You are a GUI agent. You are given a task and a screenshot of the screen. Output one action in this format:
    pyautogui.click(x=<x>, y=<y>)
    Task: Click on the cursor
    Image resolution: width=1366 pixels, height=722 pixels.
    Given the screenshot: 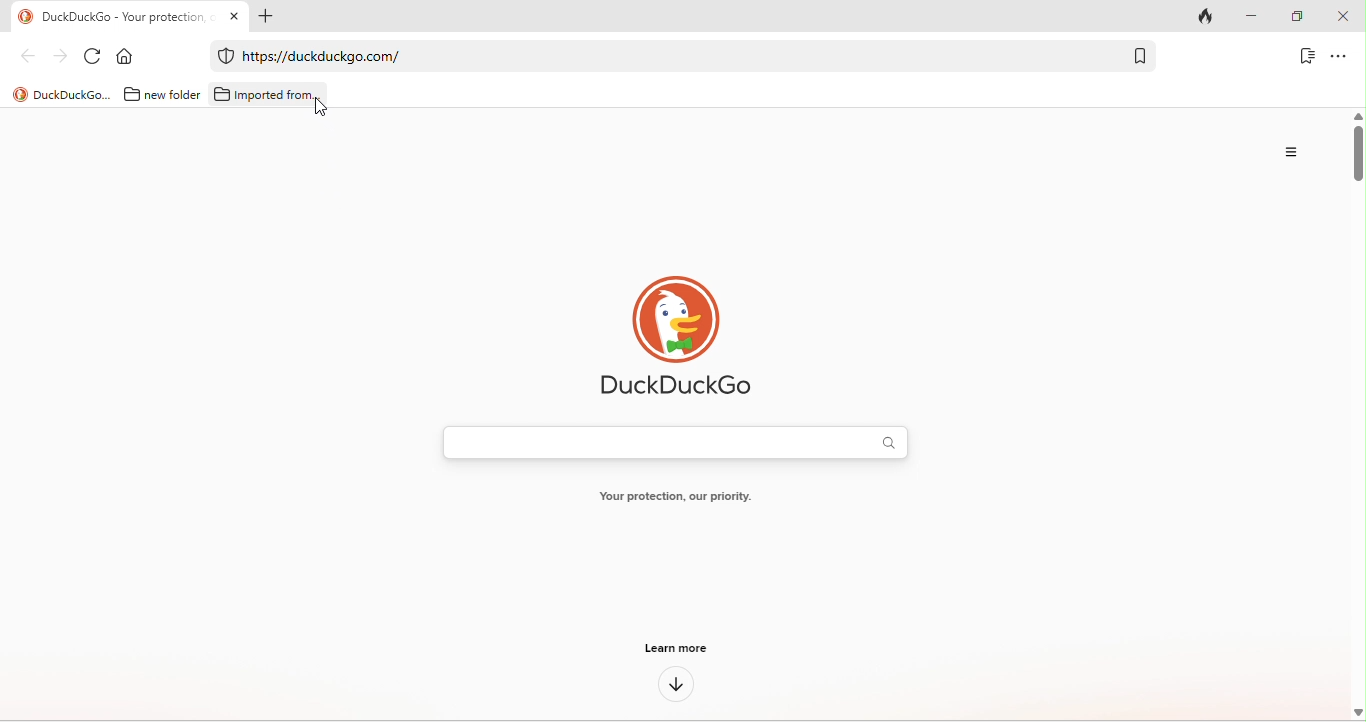 What is the action you would take?
    pyautogui.click(x=319, y=110)
    